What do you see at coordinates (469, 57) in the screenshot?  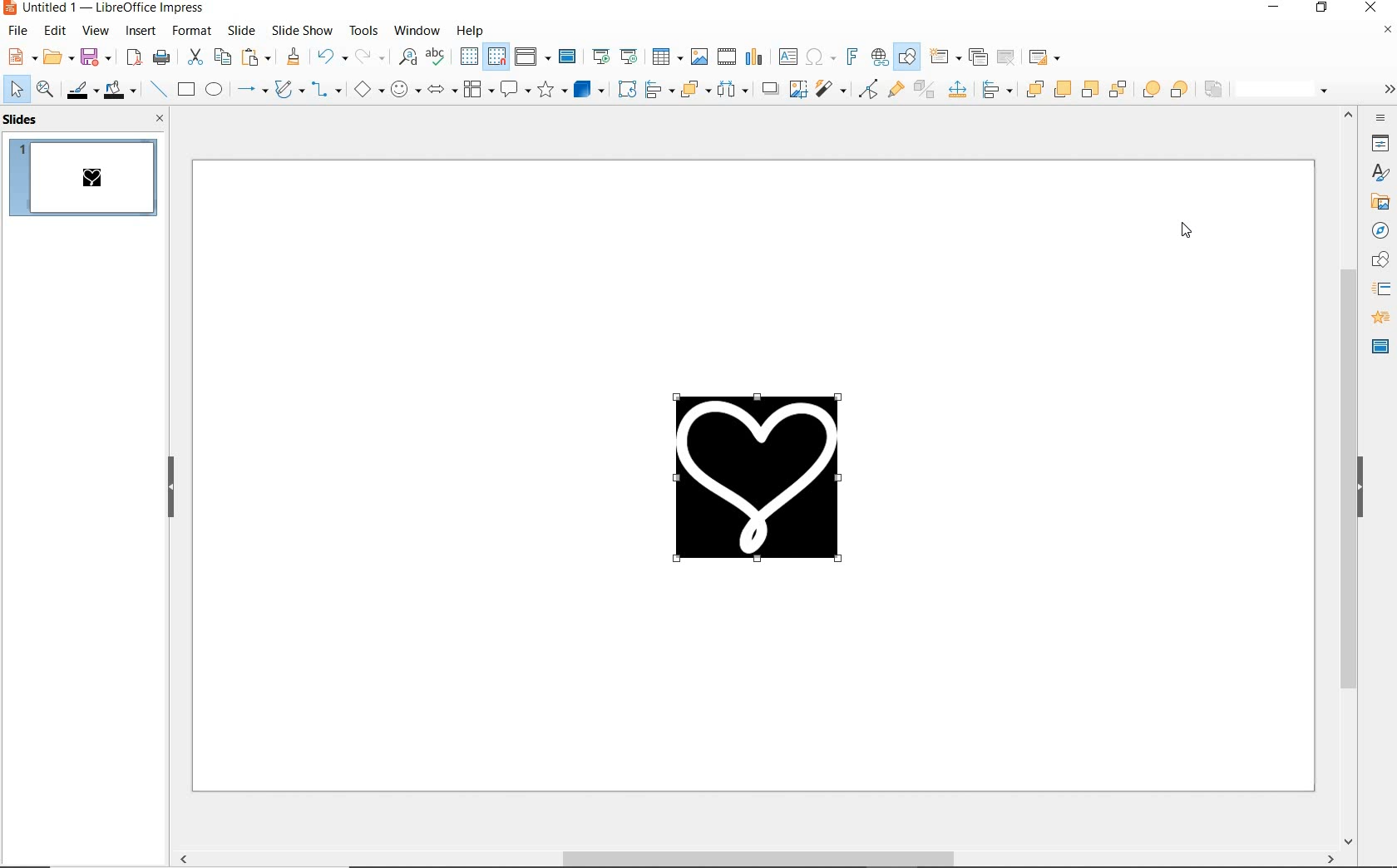 I see `display grid` at bounding box center [469, 57].